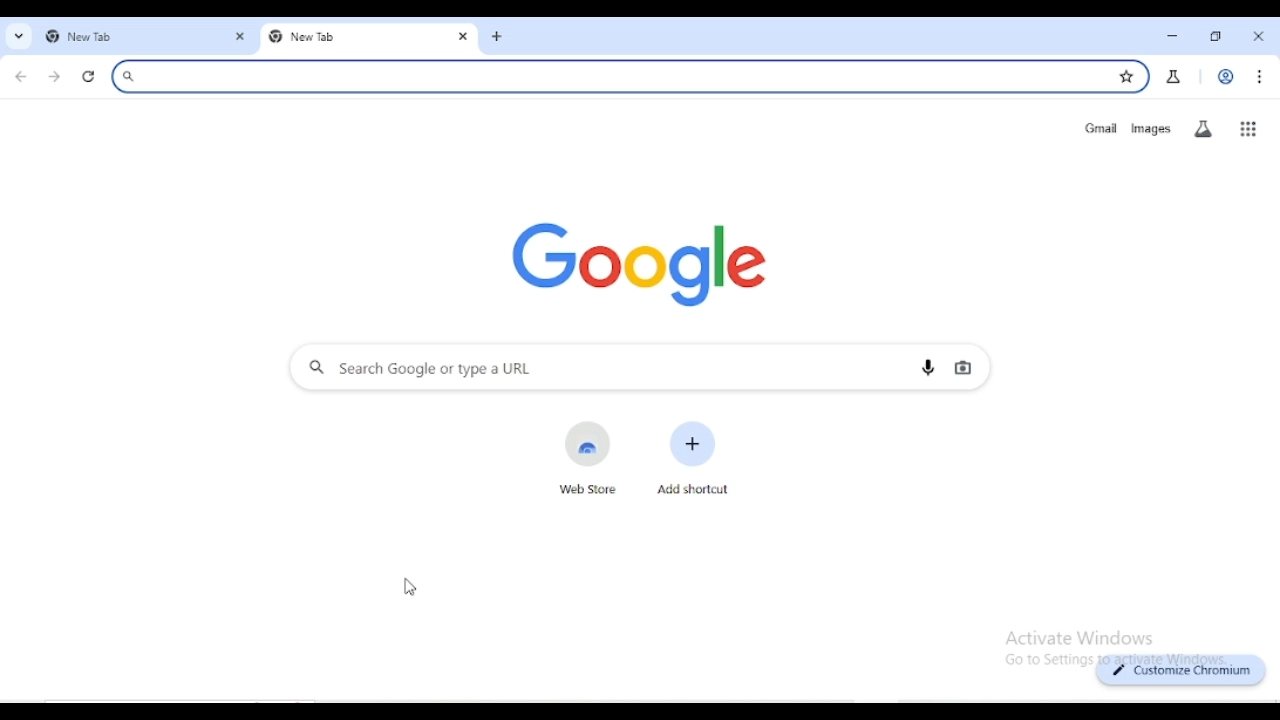  Describe the element at coordinates (498, 37) in the screenshot. I see `new tab` at that location.